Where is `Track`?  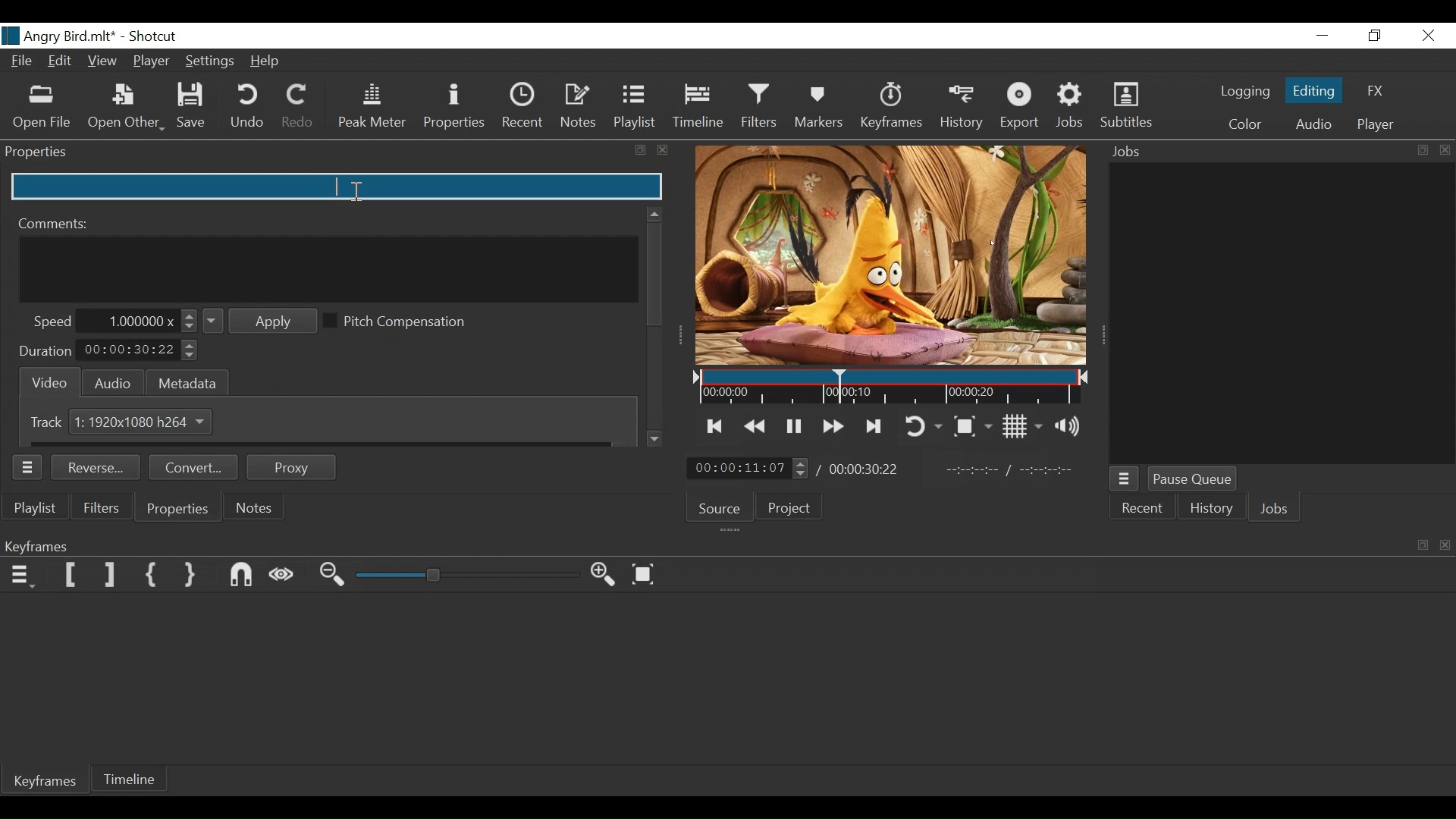 Track is located at coordinates (49, 422).